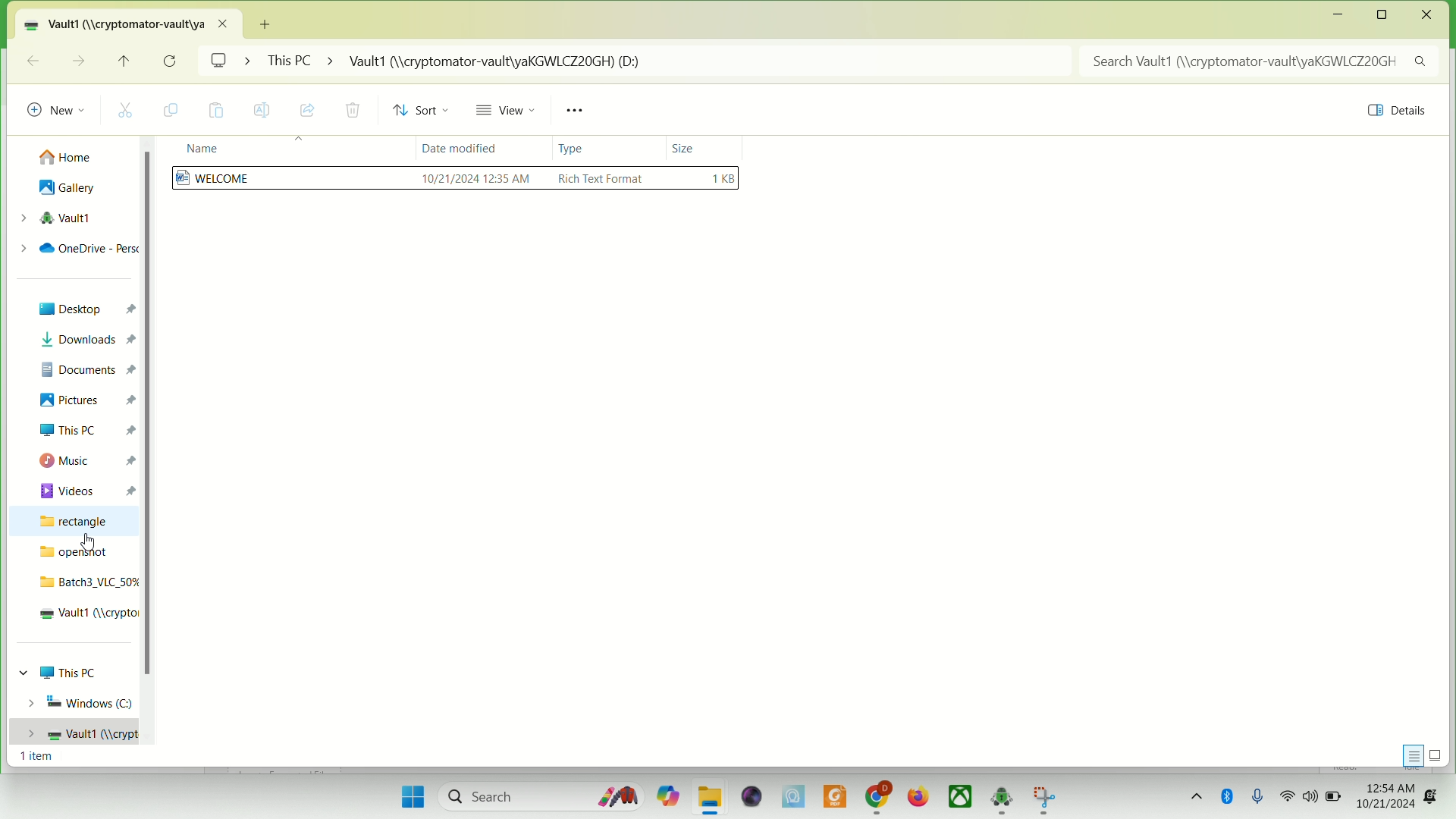  Describe the element at coordinates (579, 111) in the screenshot. I see `see more` at that location.